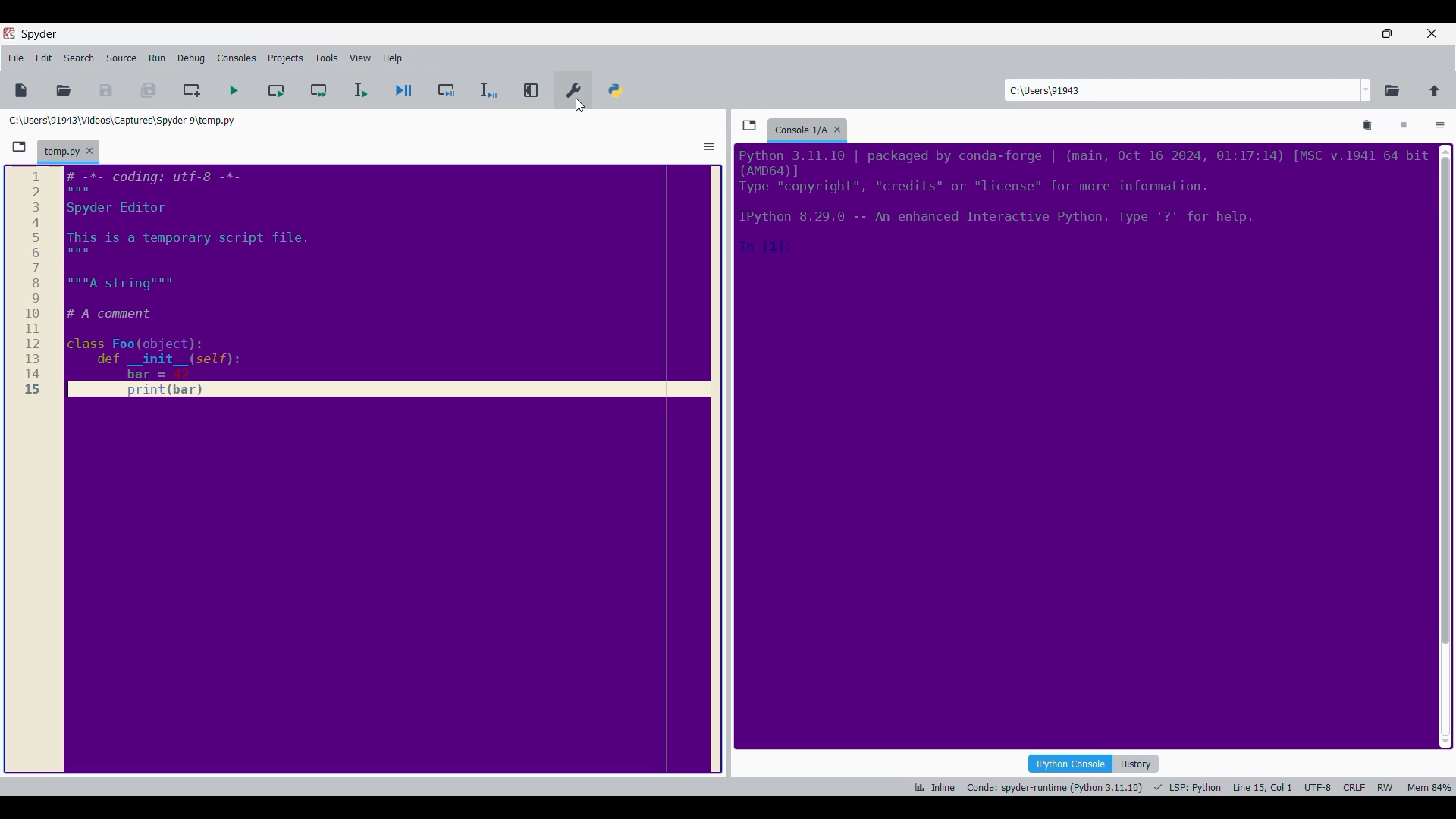 The width and height of the screenshot is (1456, 819). What do you see at coordinates (1426, 787) in the screenshot?
I see `Mem 84%` at bounding box center [1426, 787].